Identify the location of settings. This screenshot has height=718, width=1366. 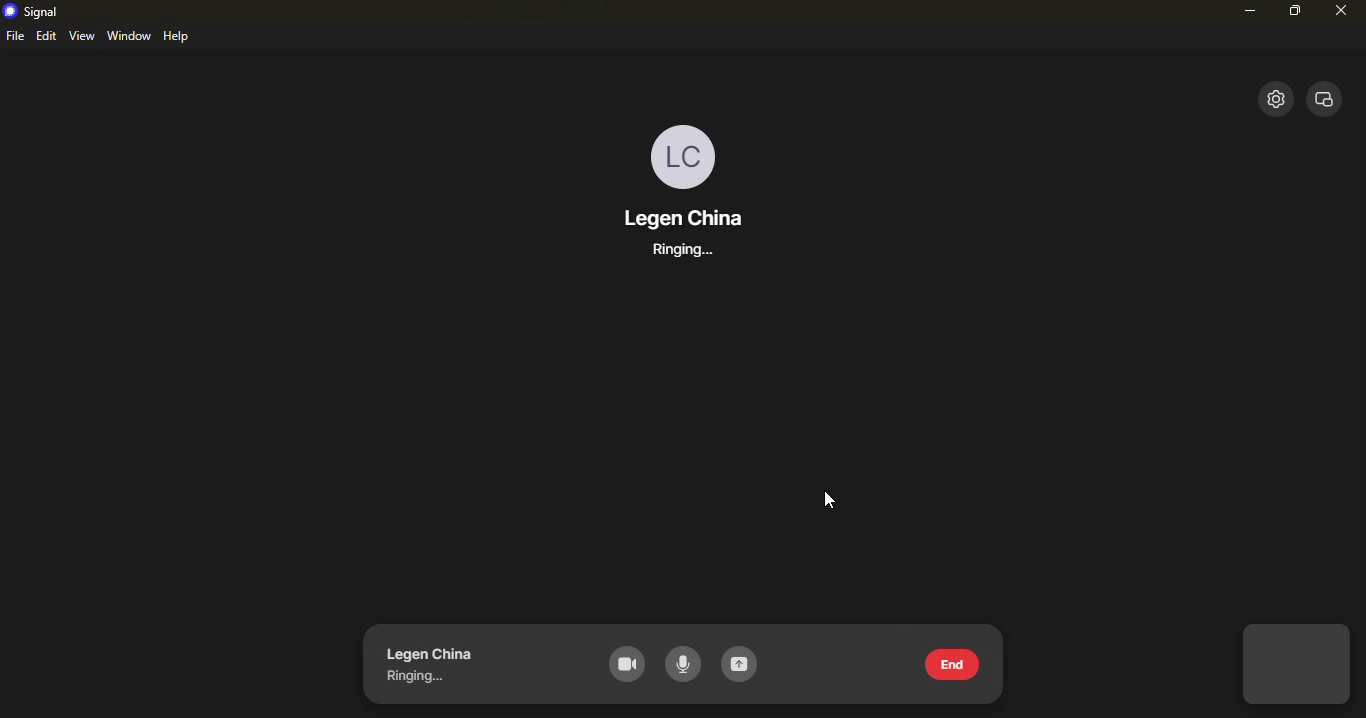
(1275, 97).